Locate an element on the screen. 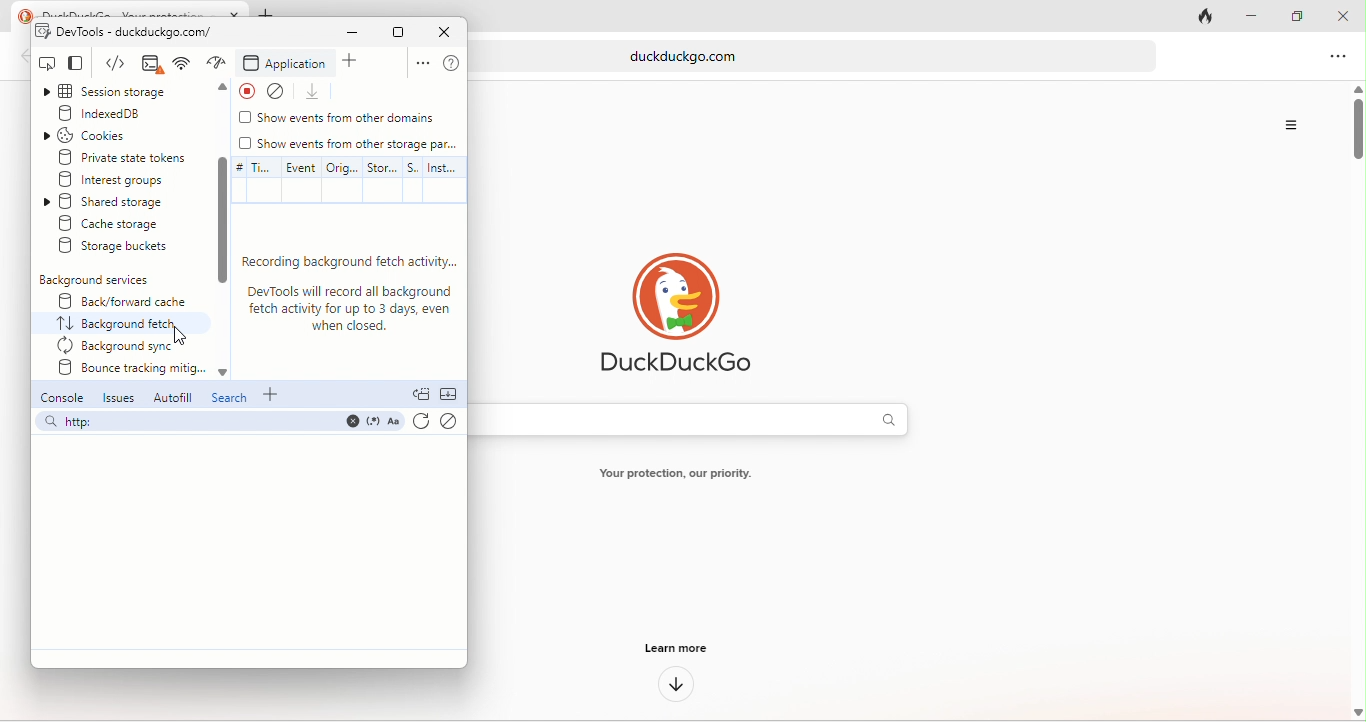 This screenshot has width=1366, height=722. track tab is located at coordinates (1209, 19).